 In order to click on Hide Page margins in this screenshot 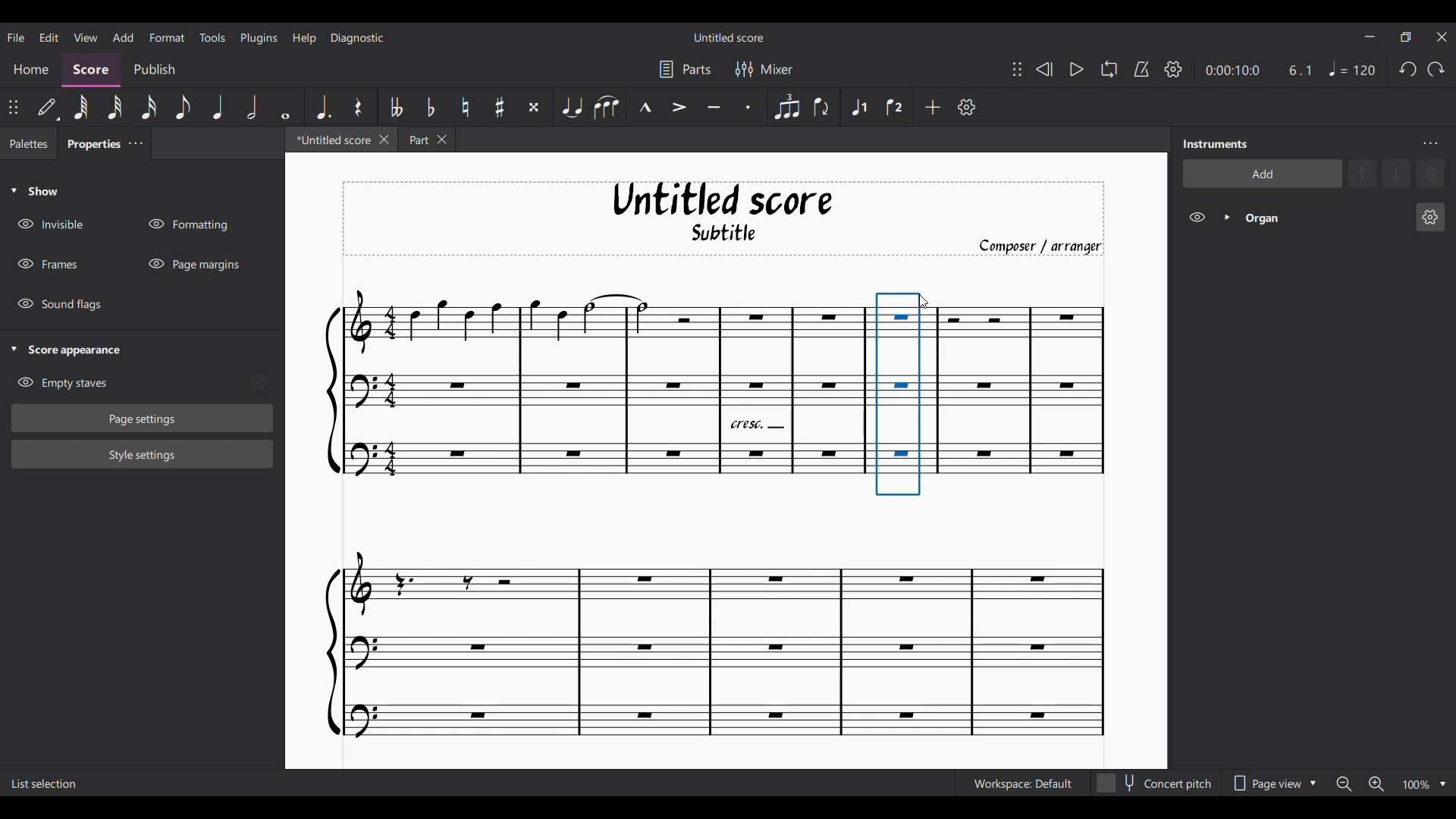, I will do `click(193, 264)`.